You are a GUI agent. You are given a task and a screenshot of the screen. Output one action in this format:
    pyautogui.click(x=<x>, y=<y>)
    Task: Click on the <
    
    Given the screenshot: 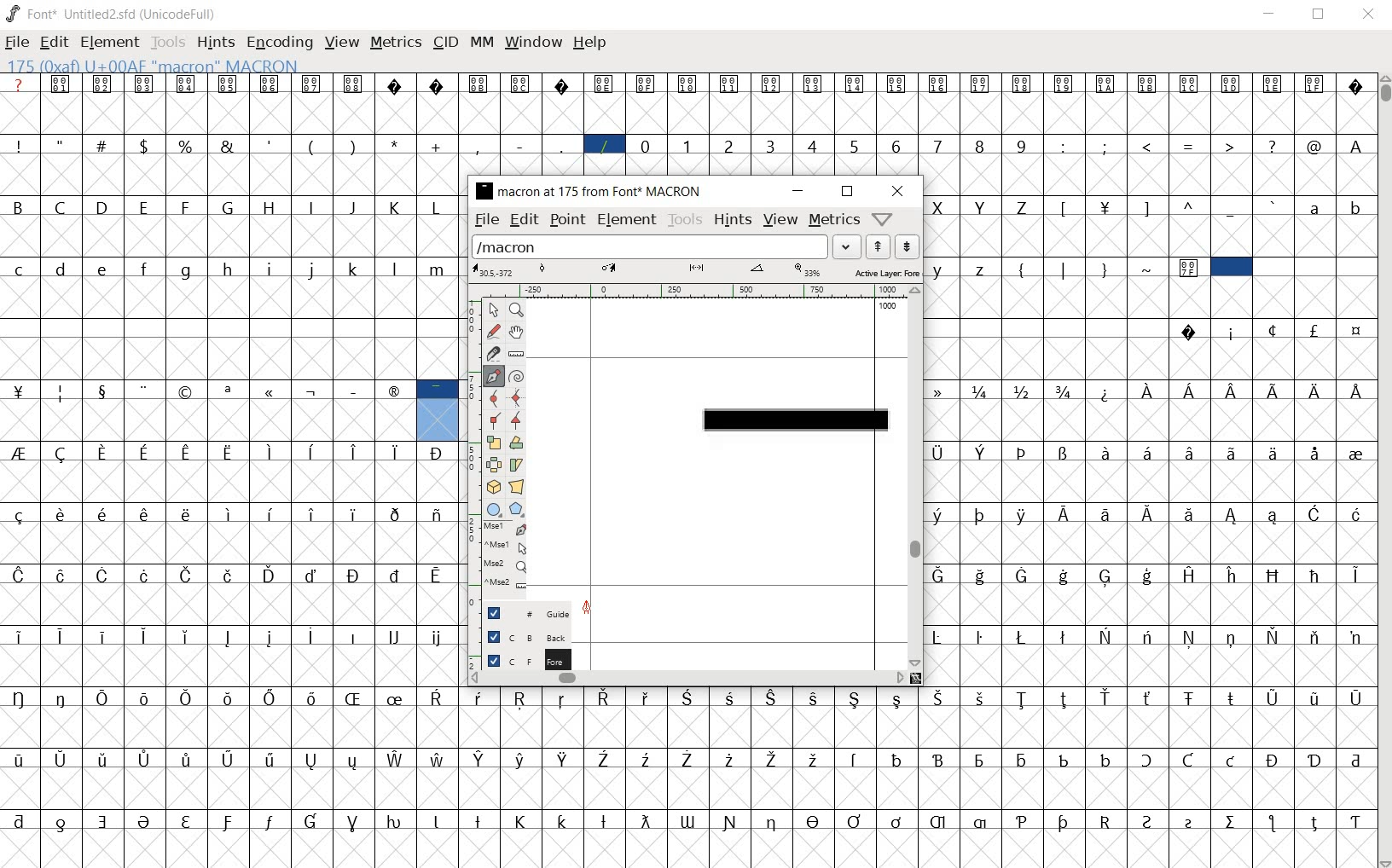 What is the action you would take?
    pyautogui.click(x=1149, y=146)
    